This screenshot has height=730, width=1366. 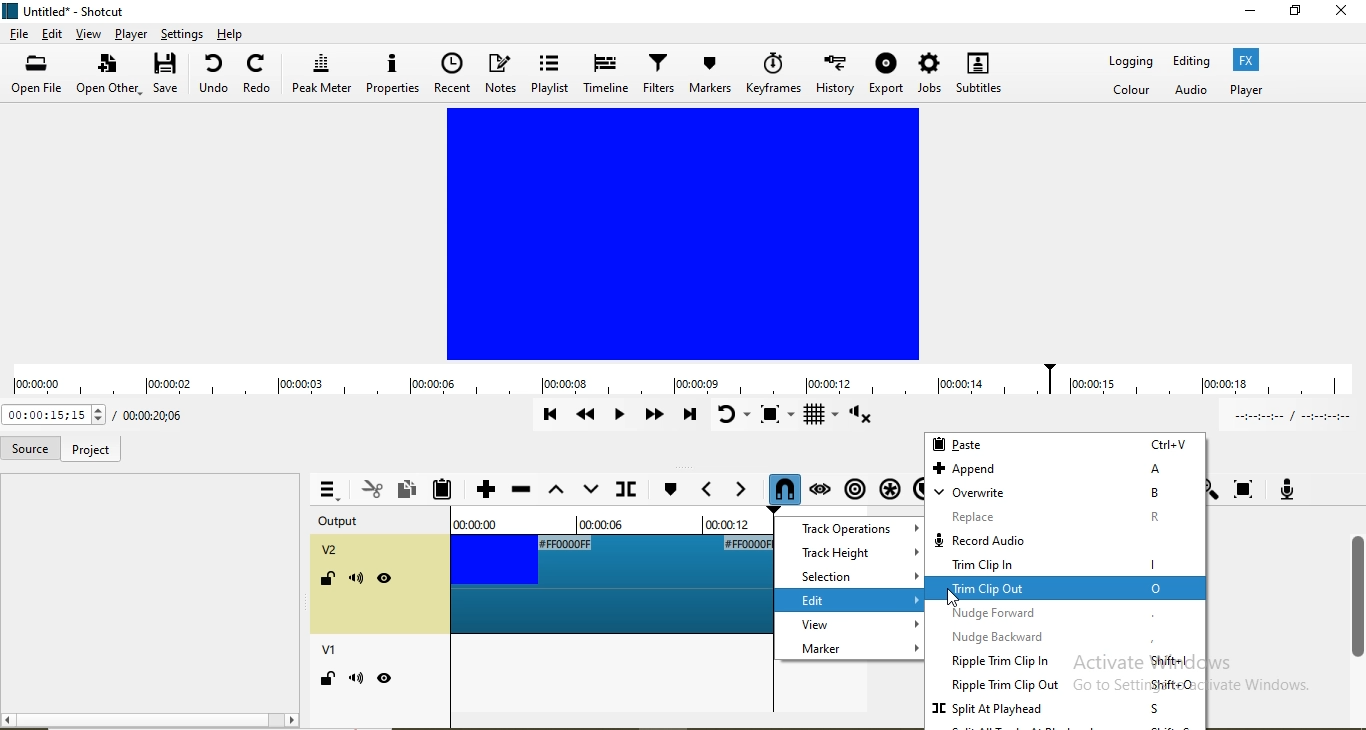 What do you see at coordinates (1357, 590) in the screenshot?
I see `scroll bar` at bounding box center [1357, 590].